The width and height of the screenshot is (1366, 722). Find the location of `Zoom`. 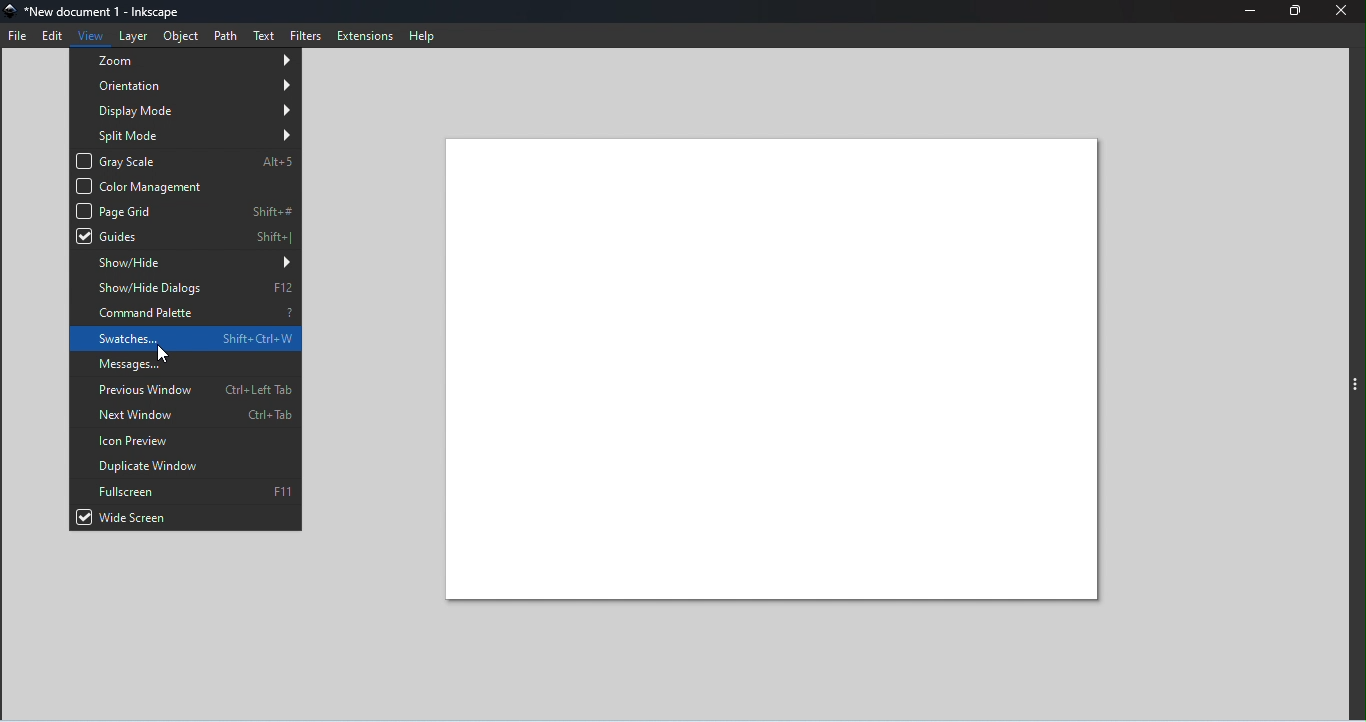

Zoom is located at coordinates (184, 58).